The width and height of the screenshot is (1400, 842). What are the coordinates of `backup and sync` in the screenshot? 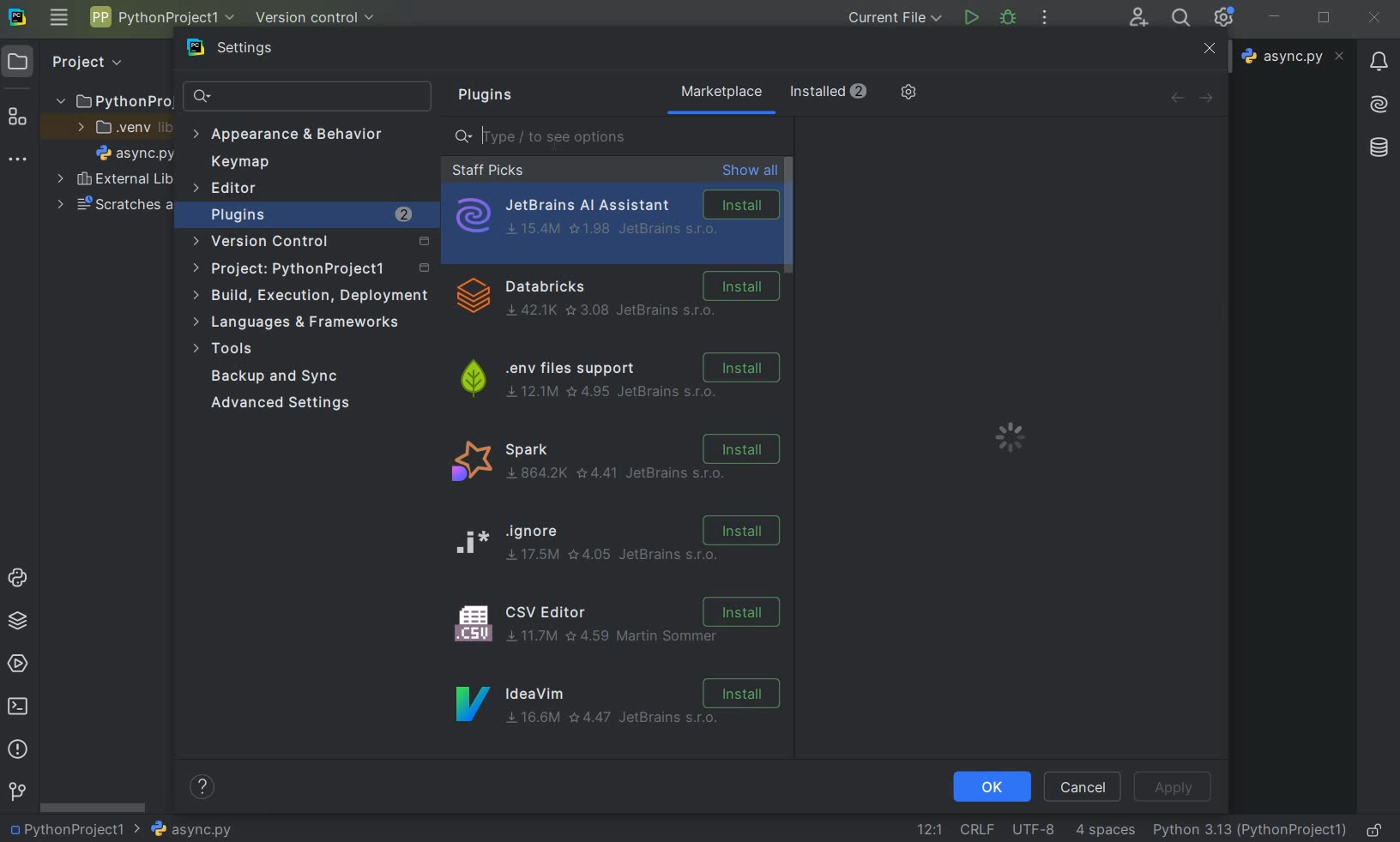 It's located at (287, 377).